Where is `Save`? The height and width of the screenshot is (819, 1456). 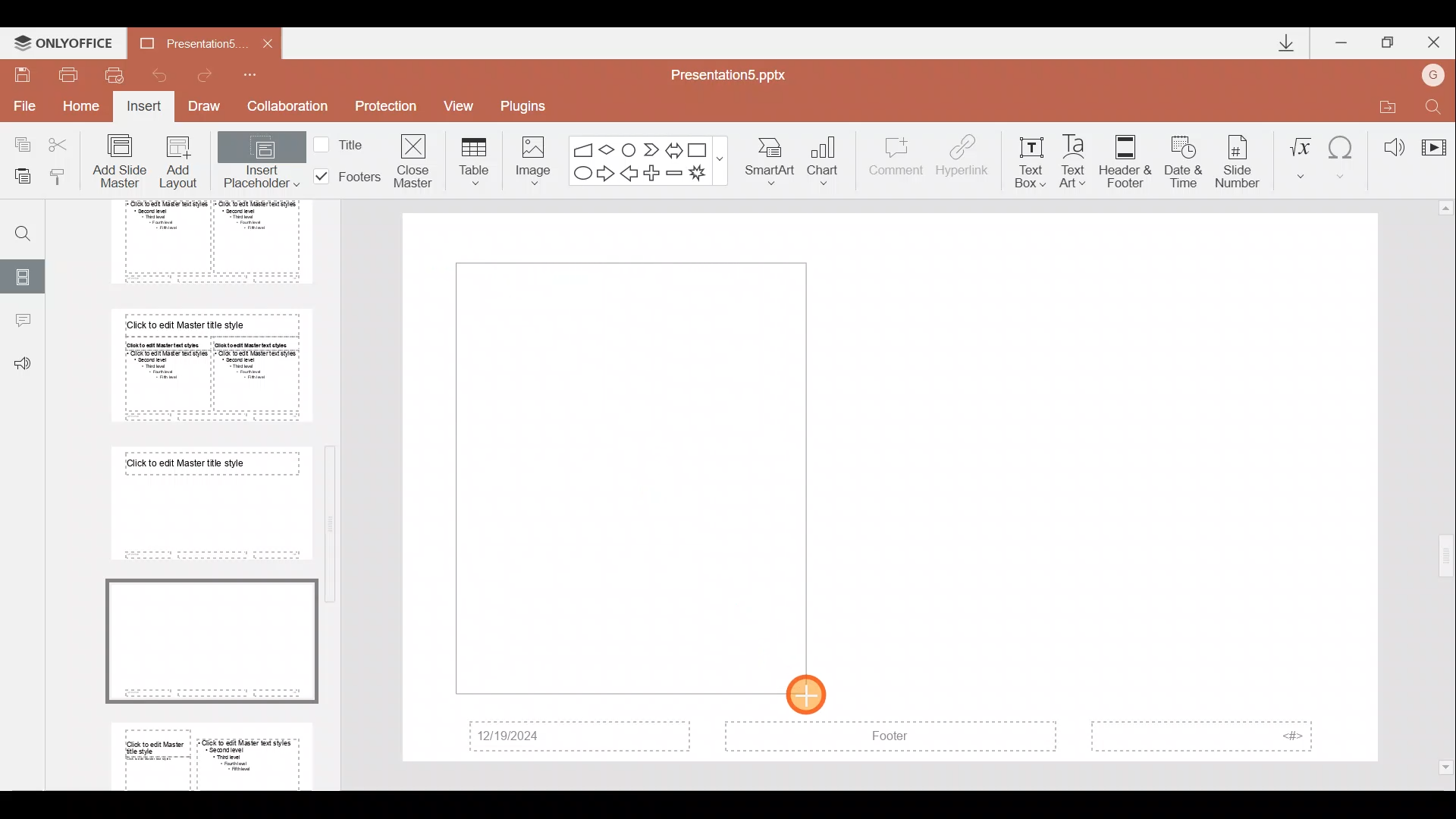
Save is located at coordinates (23, 73).